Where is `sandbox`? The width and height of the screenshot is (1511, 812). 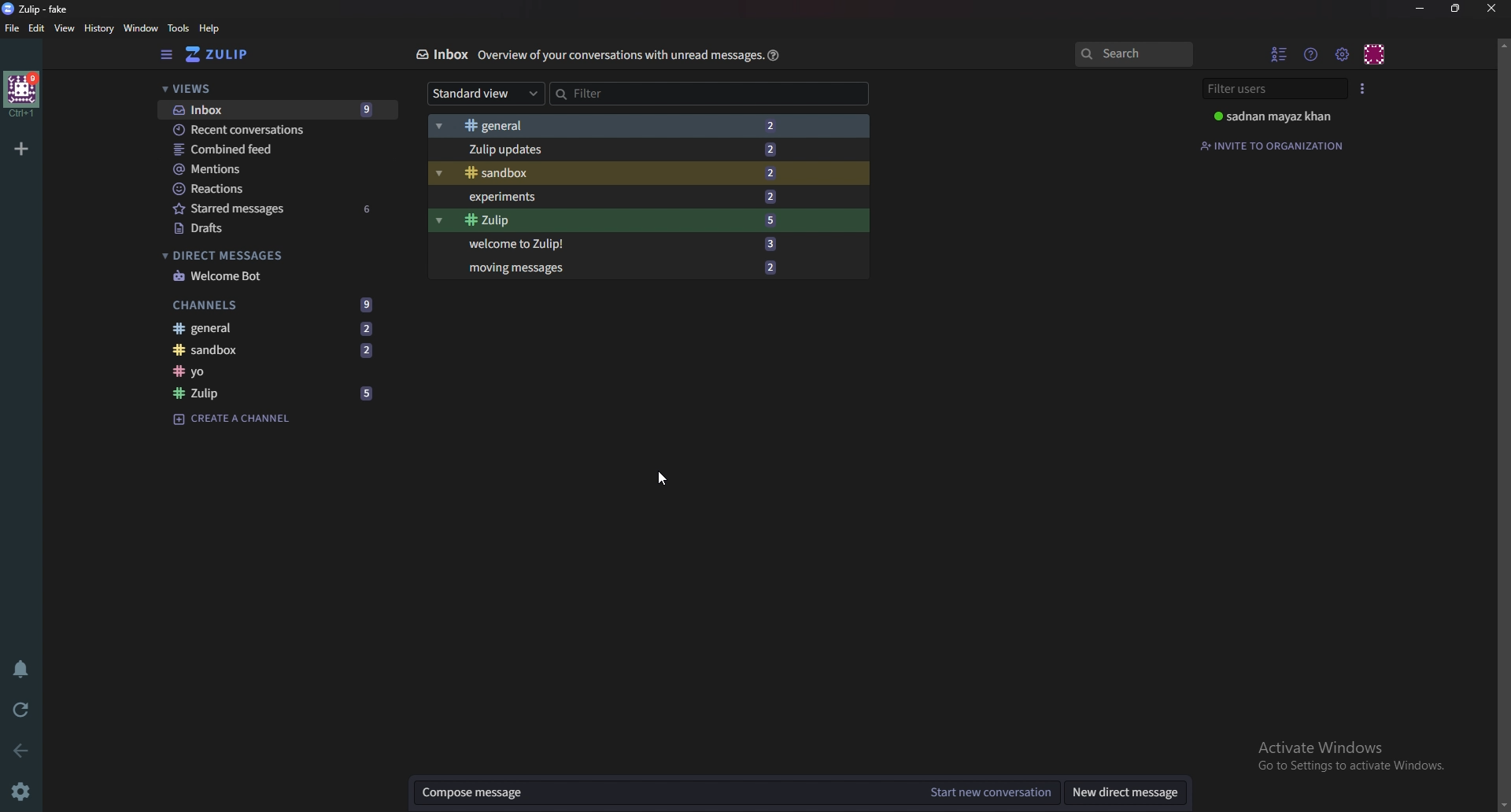
sandbox is located at coordinates (275, 352).